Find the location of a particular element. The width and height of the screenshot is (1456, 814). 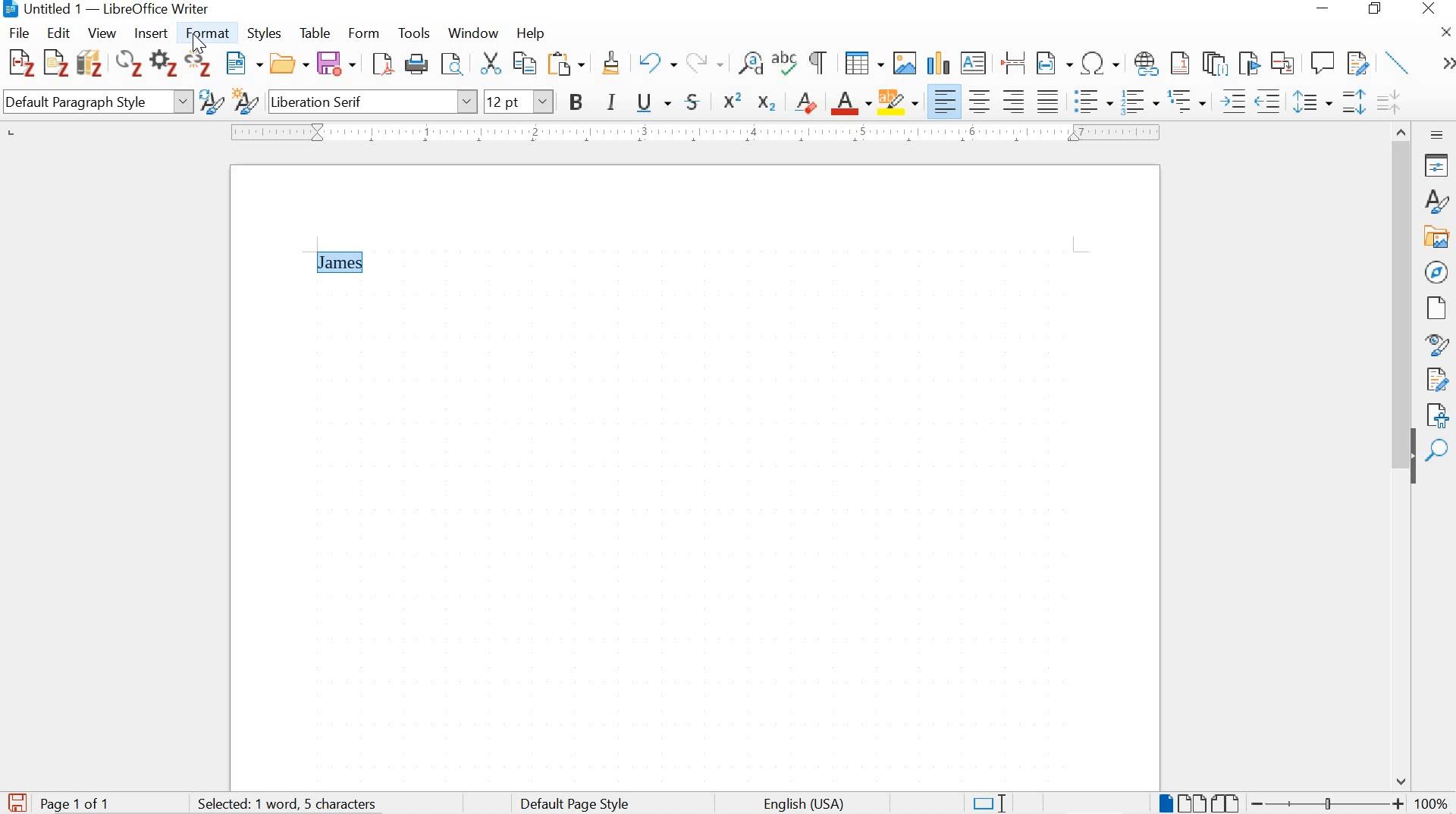

insert bookmark is located at coordinates (1247, 63).